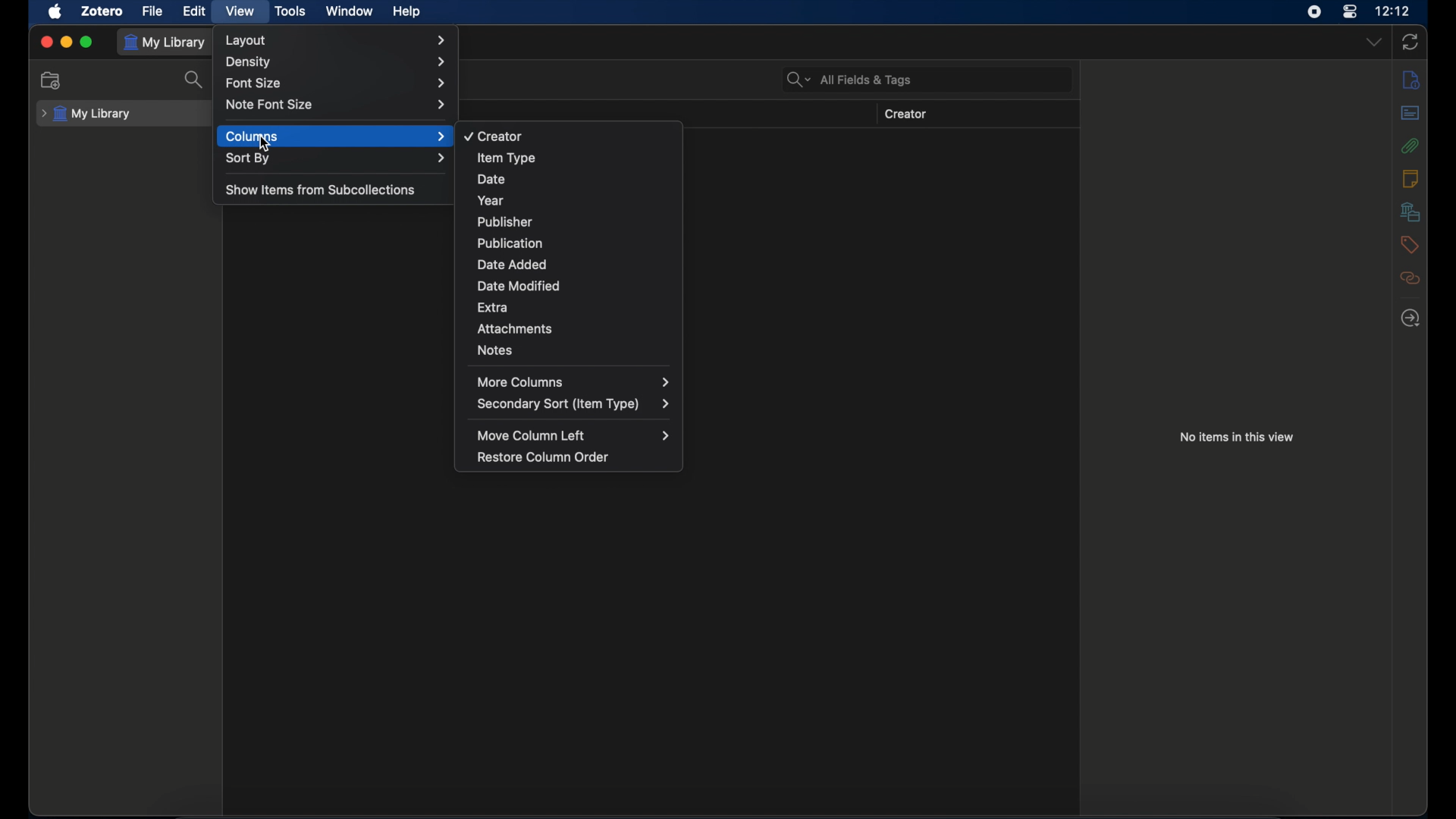 The height and width of the screenshot is (819, 1456). I want to click on creator, so click(492, 136).